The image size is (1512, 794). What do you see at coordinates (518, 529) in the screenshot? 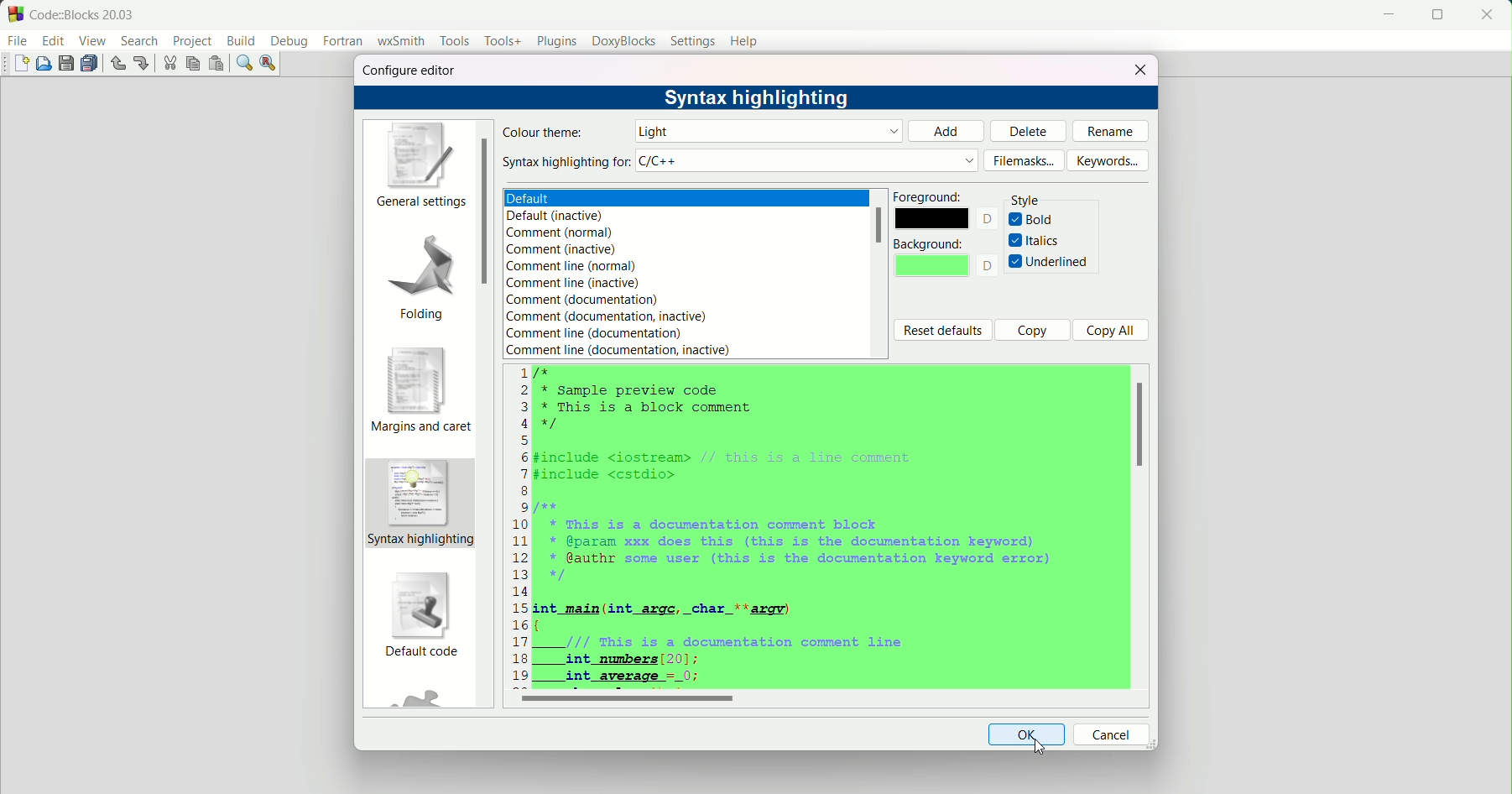
I see `numbers` at bounding box center [518, 529].